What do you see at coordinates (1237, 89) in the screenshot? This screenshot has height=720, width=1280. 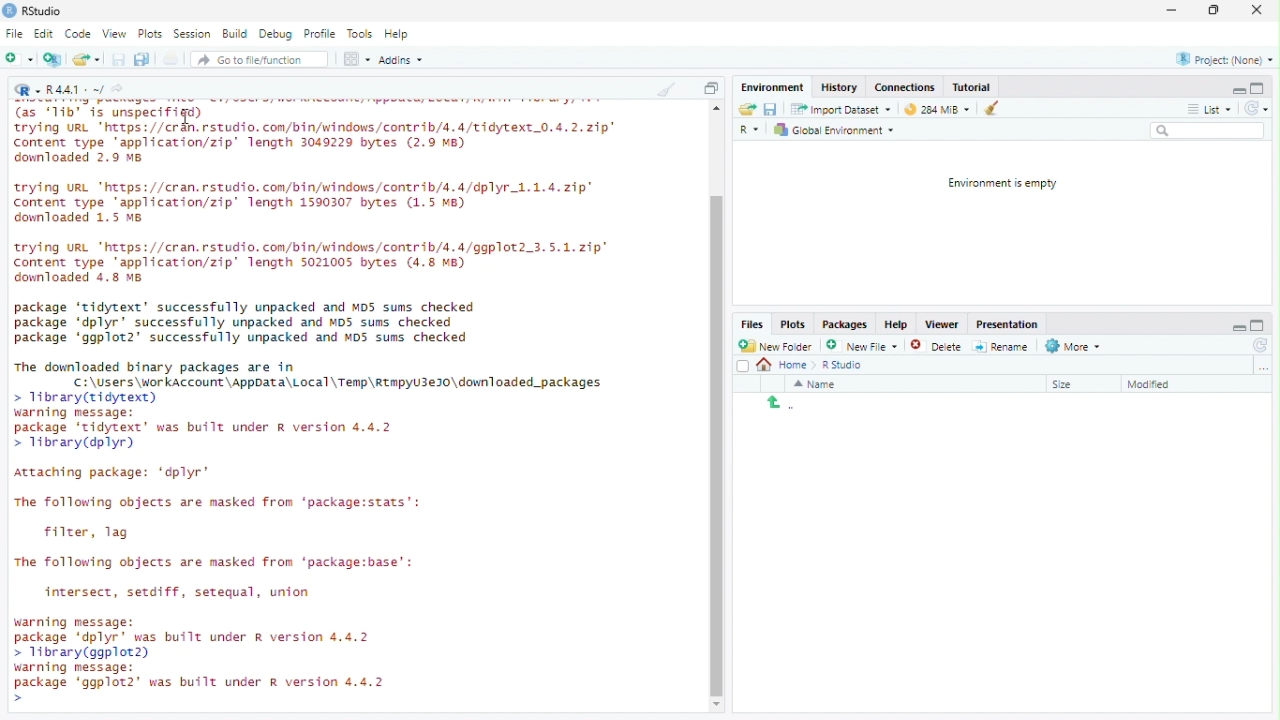 I see `Minimize` at bounding box center [1237, 89].